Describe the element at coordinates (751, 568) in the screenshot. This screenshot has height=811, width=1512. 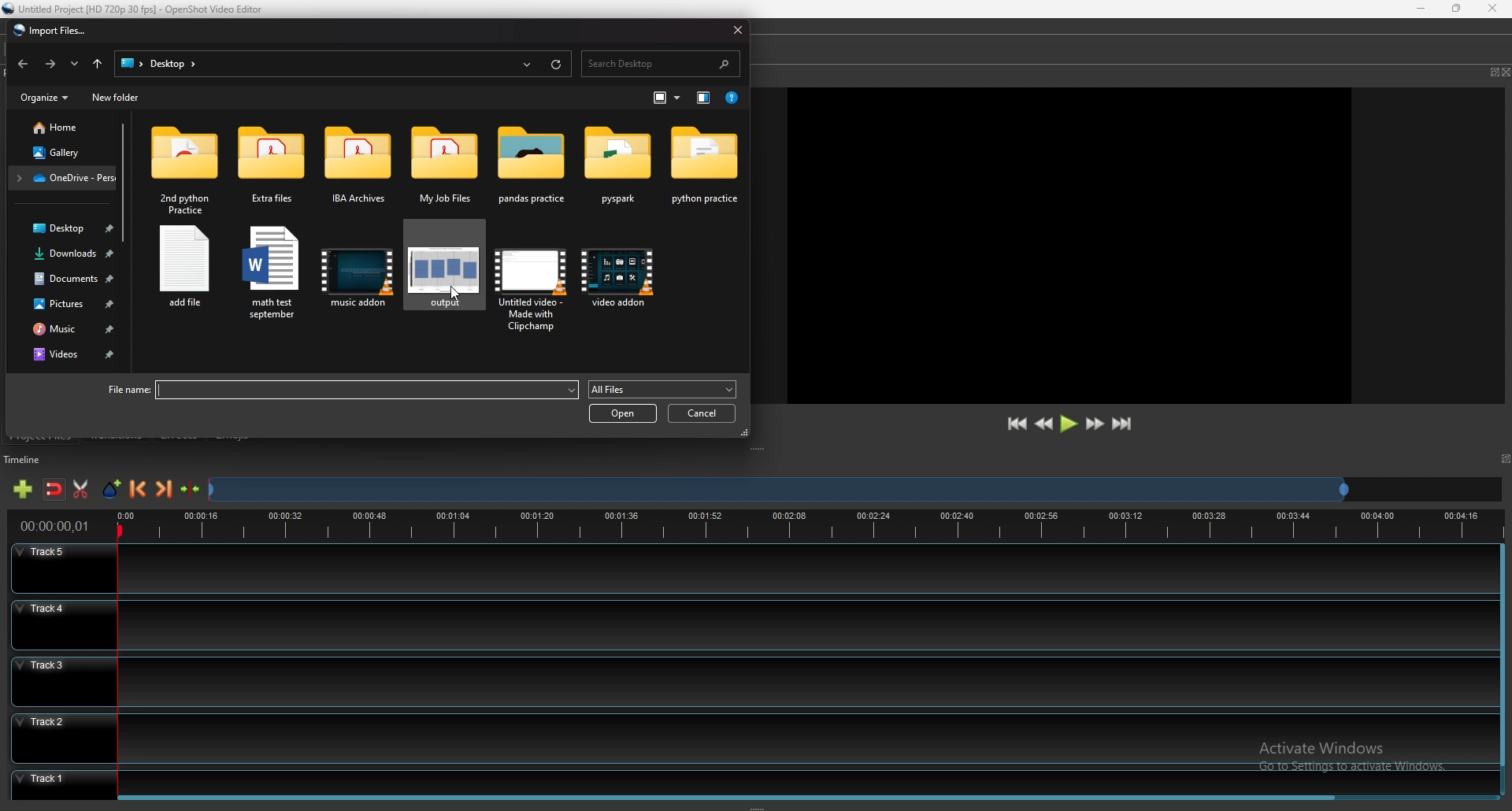
I see `track 5` at that location.